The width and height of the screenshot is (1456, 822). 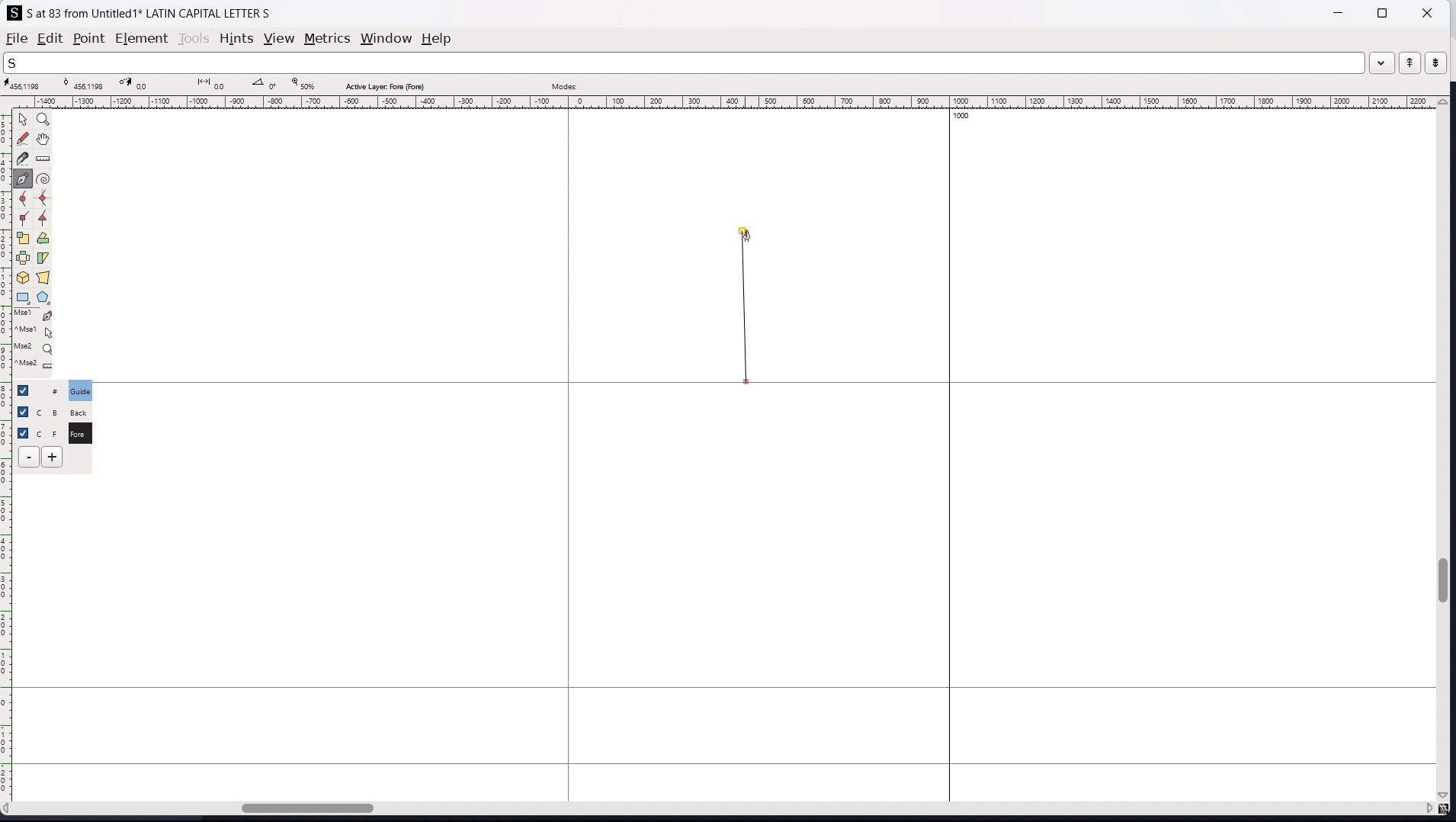 I want to click on distance between points, so click(x=213, y=83).